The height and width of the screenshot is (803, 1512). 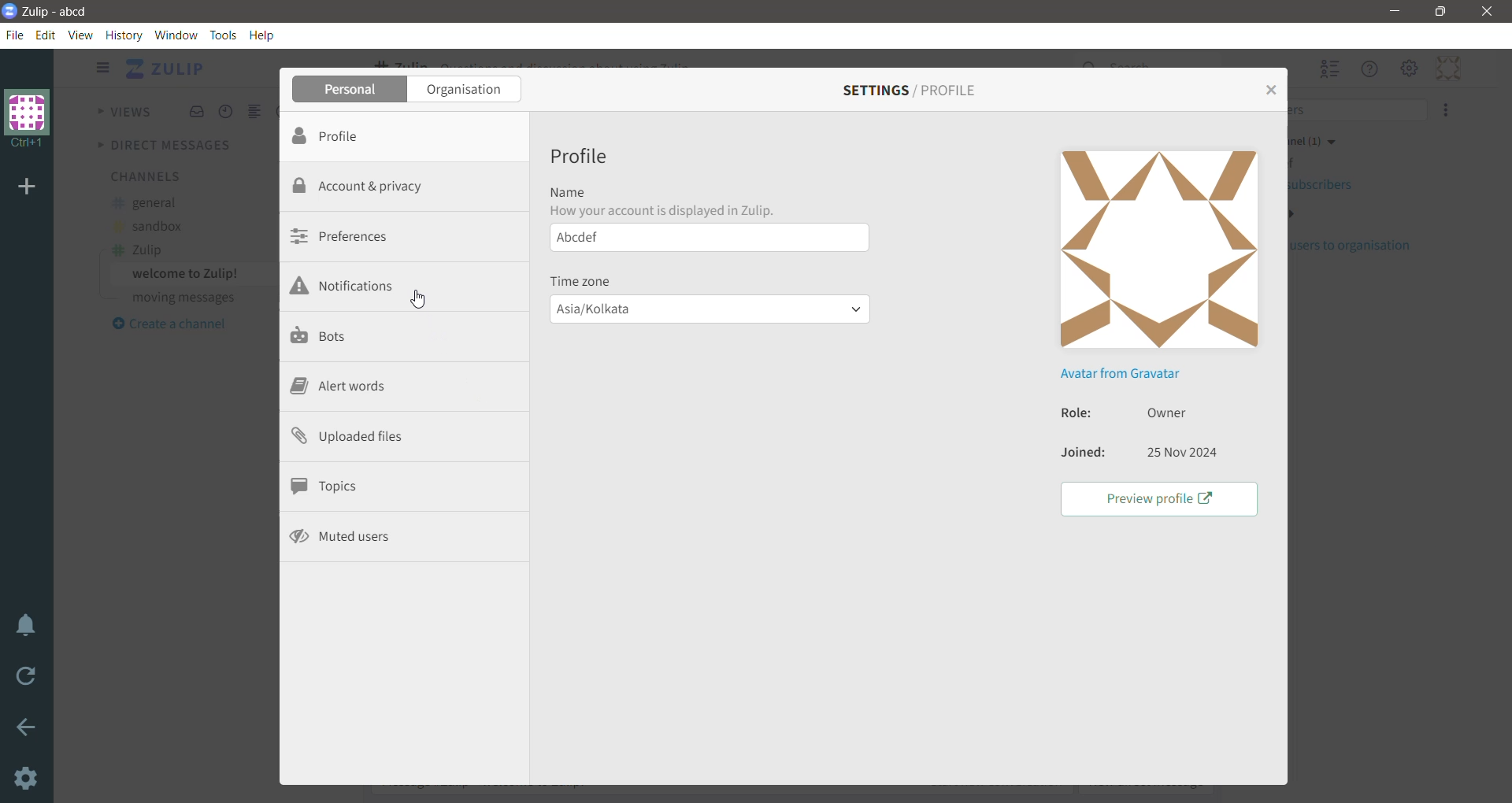 What do you see at coordinates (28, 730) in the screenshot?
I see `Go back` at bounding box center [28, 730].